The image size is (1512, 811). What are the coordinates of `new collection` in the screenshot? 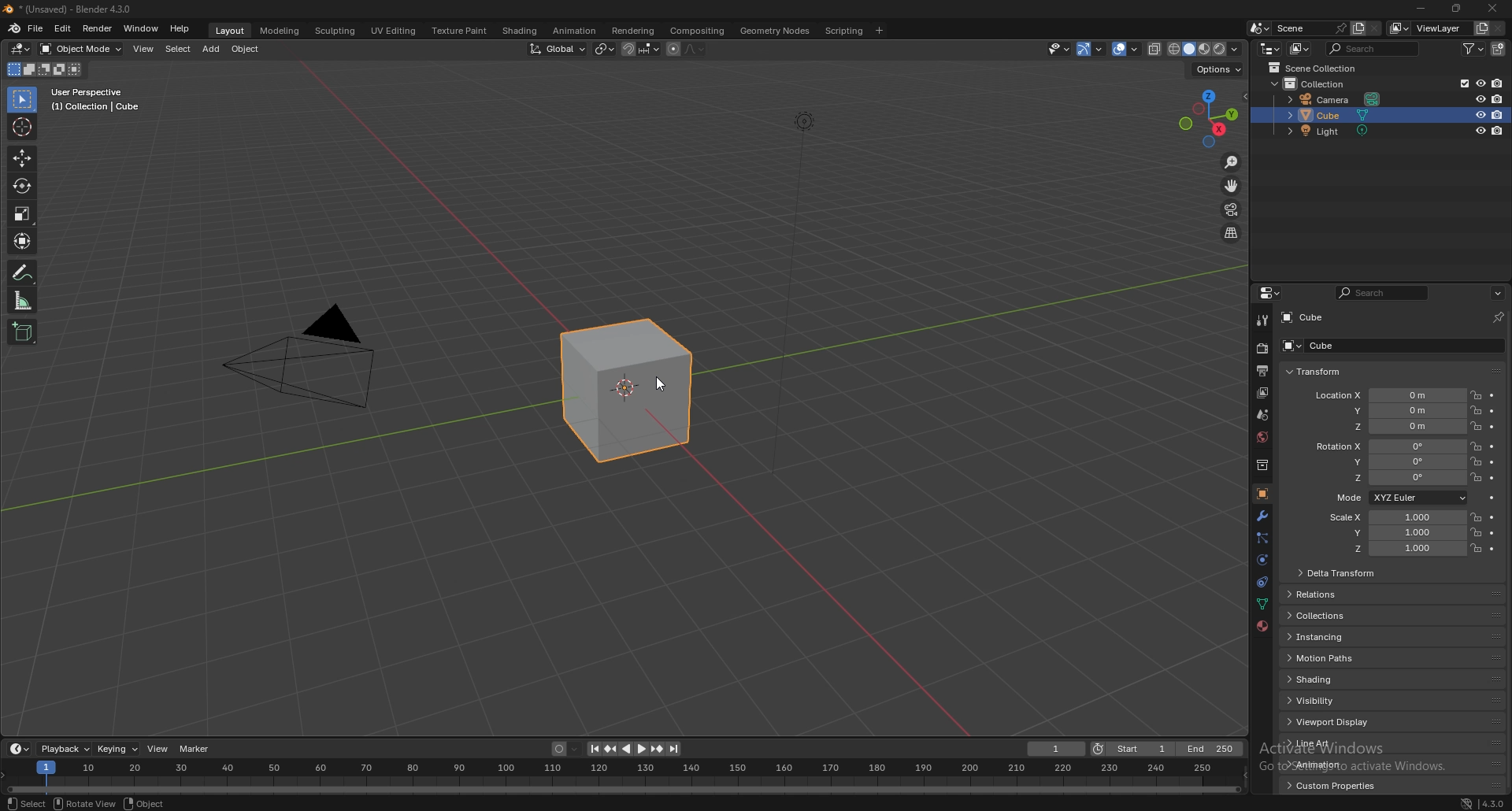 It's located at (1499, 49).